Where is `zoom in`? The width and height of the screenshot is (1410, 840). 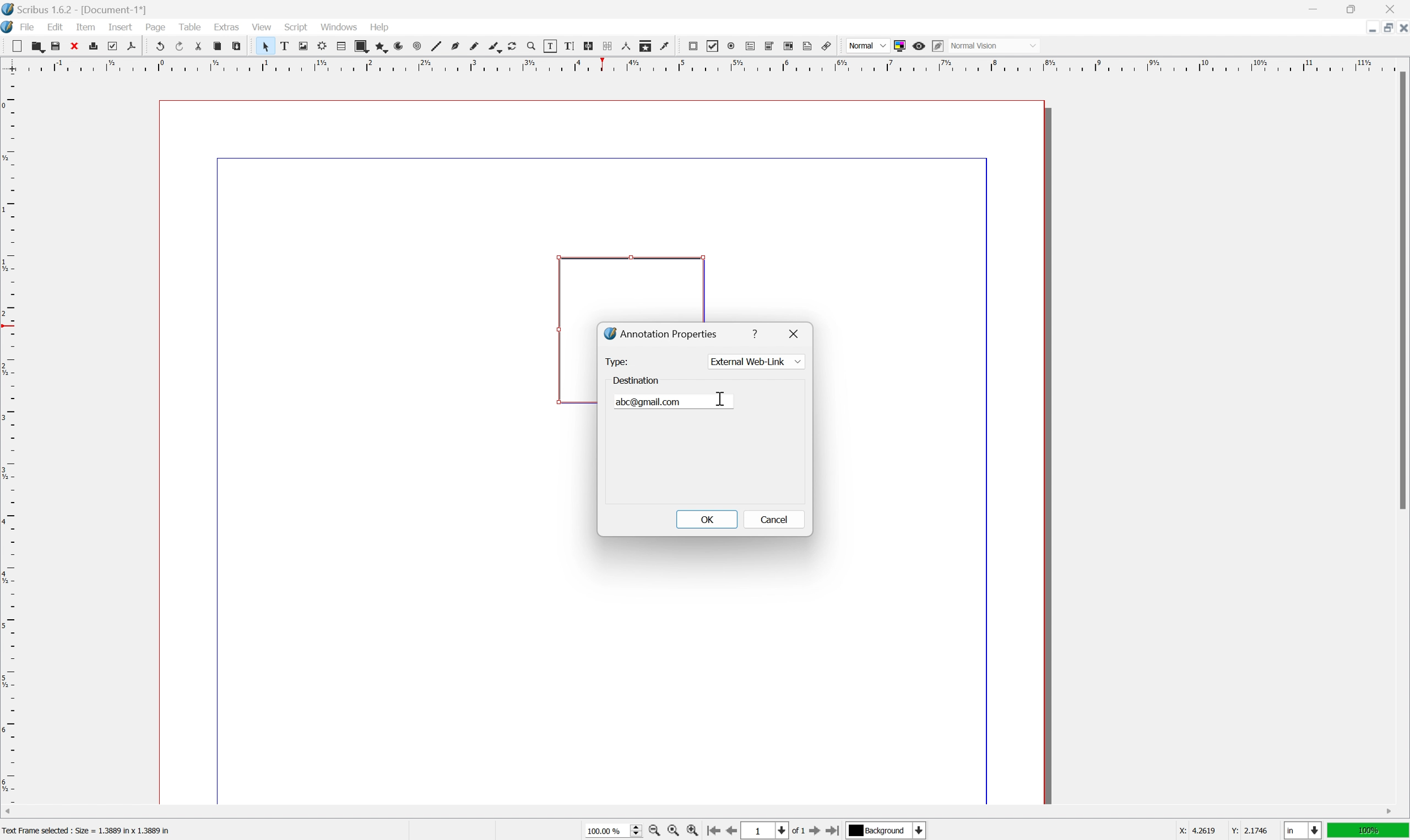
zoom in is located at coordinates (692, 830).